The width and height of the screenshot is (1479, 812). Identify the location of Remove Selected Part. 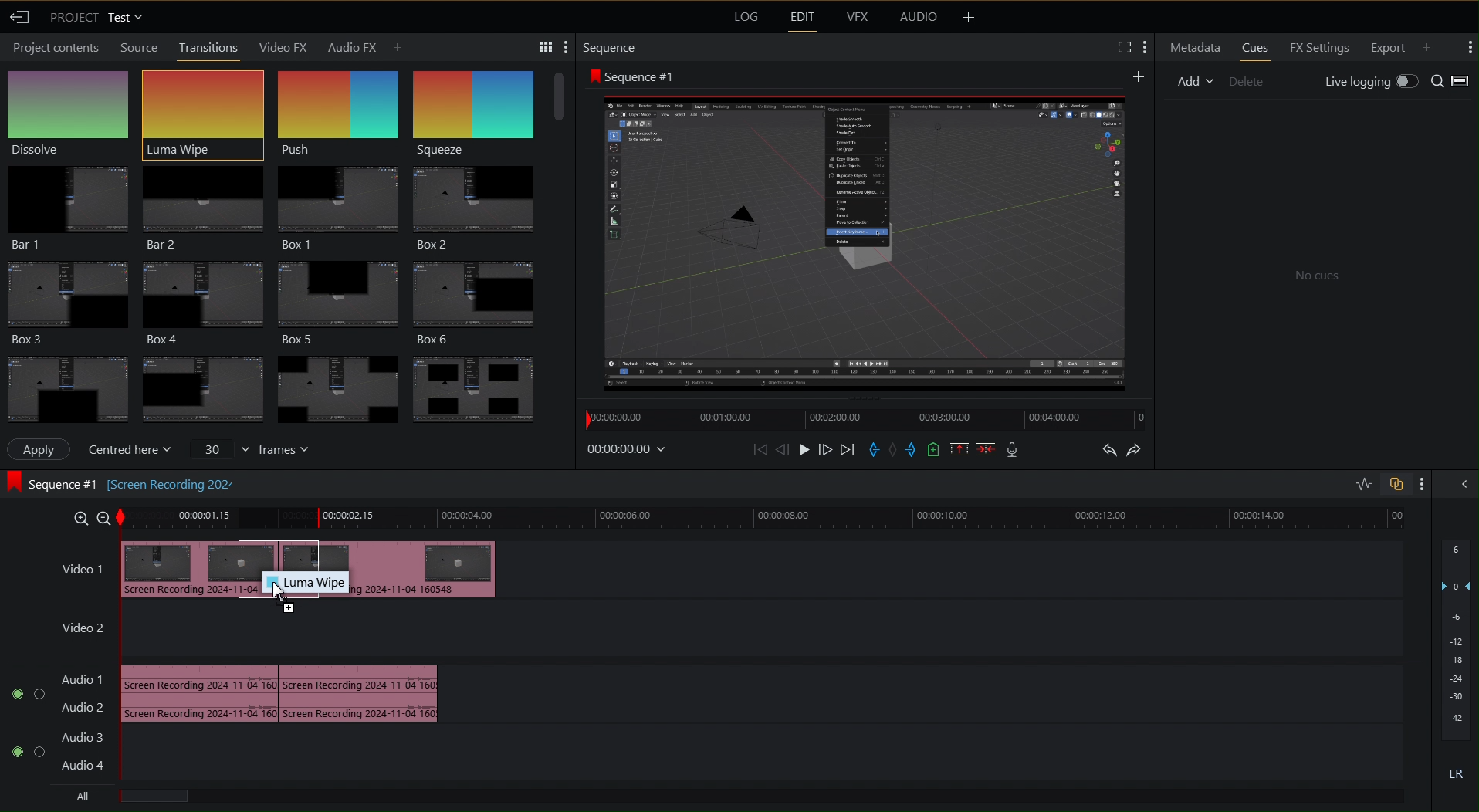
(960, 449).